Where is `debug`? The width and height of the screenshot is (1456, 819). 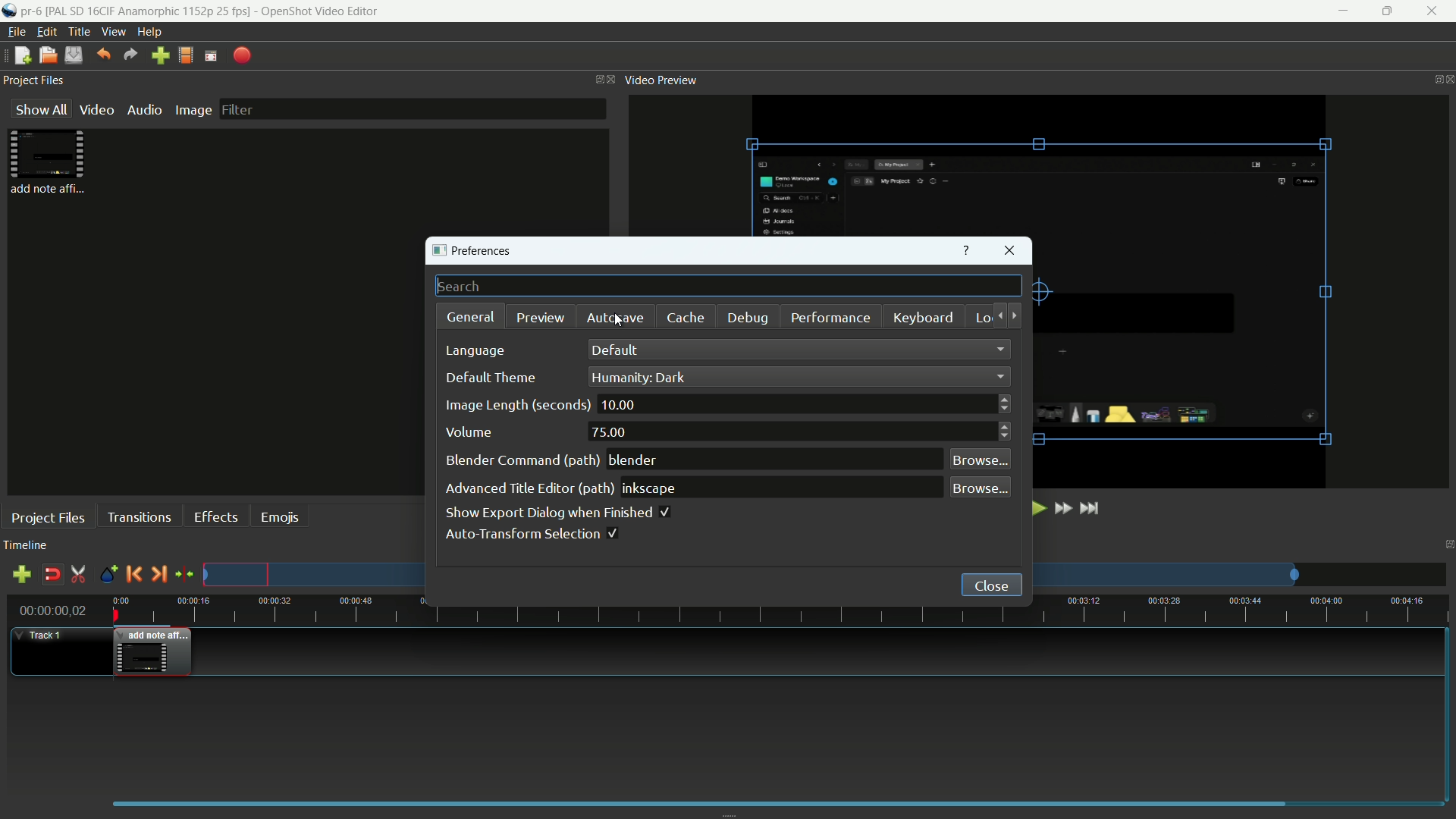
debug is located at coordinates (745, 318).